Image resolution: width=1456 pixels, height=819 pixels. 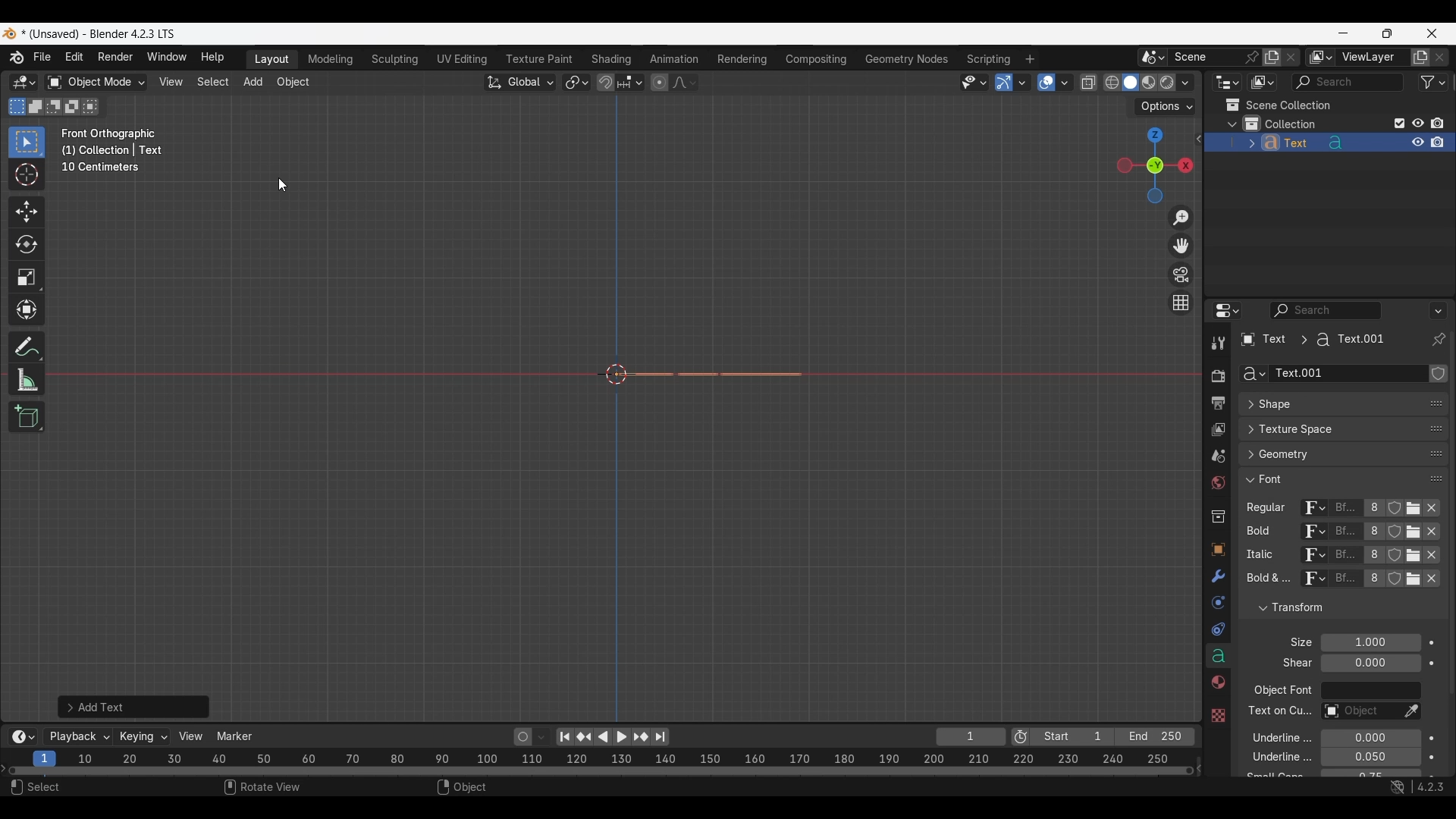 What do you see at coordinates (1314, 544) in the screenshot?
I see `Browse ID data to be linked for respective attribute` at bounding box center [1314, 544].